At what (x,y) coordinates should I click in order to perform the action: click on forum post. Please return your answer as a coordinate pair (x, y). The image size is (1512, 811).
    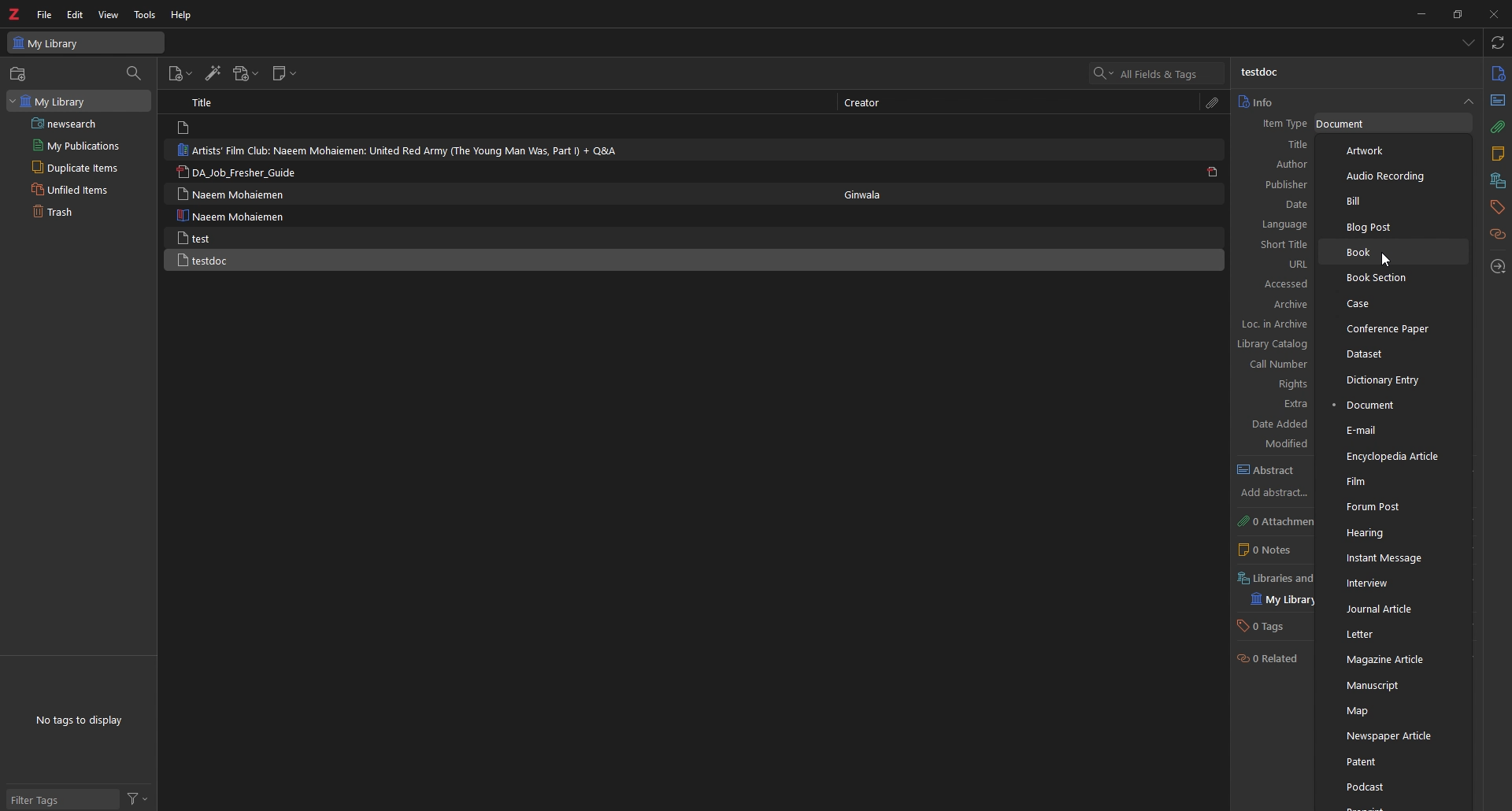
    Looking at the image, I should click on (1397, 509).